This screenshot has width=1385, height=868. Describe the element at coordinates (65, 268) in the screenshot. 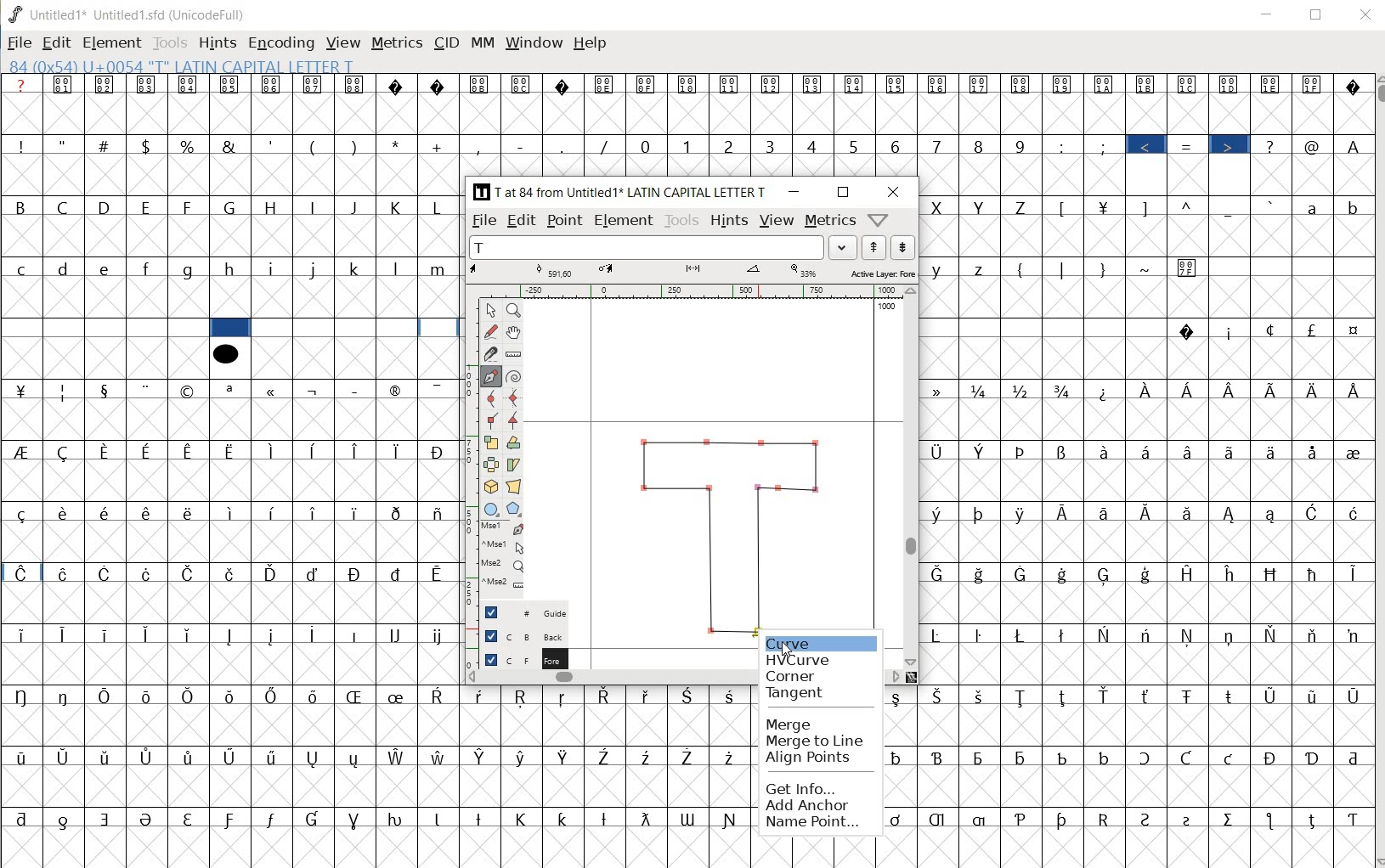

I see `d` at that location.